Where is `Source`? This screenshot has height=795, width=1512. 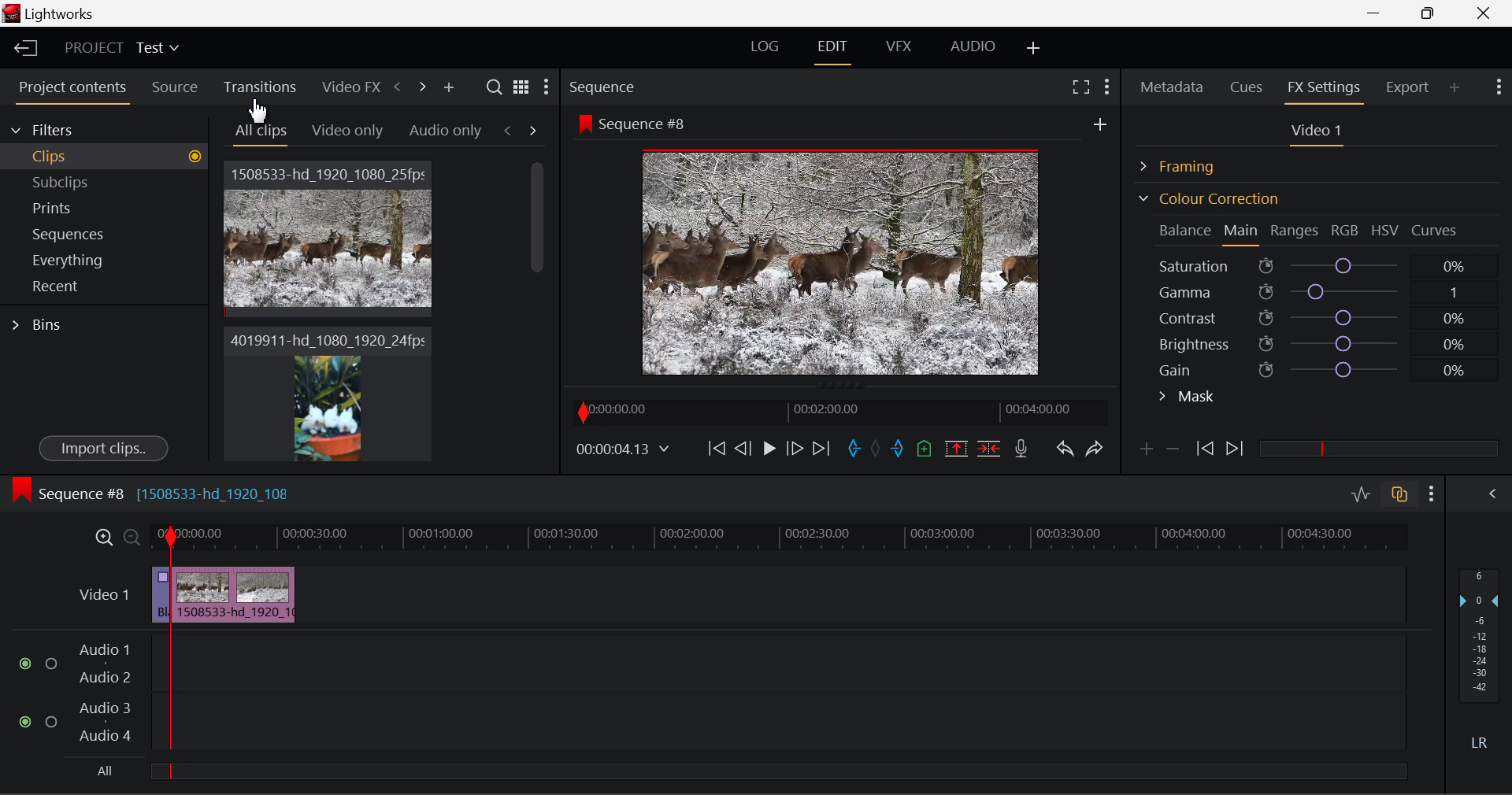 Source is located at coordinates (175, 87).